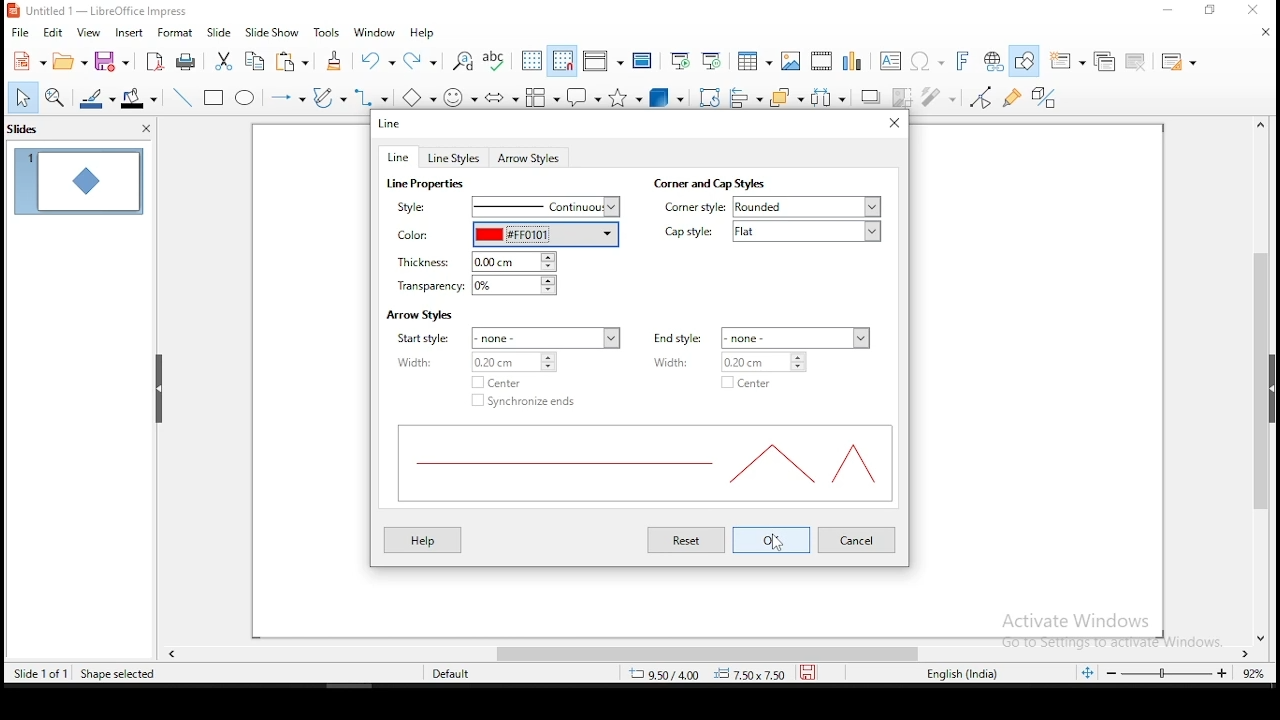 This screenshot has width=1280, height=720. What do you see at coordinates (548, 338) in the screenshot?
I see `none` at bounding box center [548, 338].